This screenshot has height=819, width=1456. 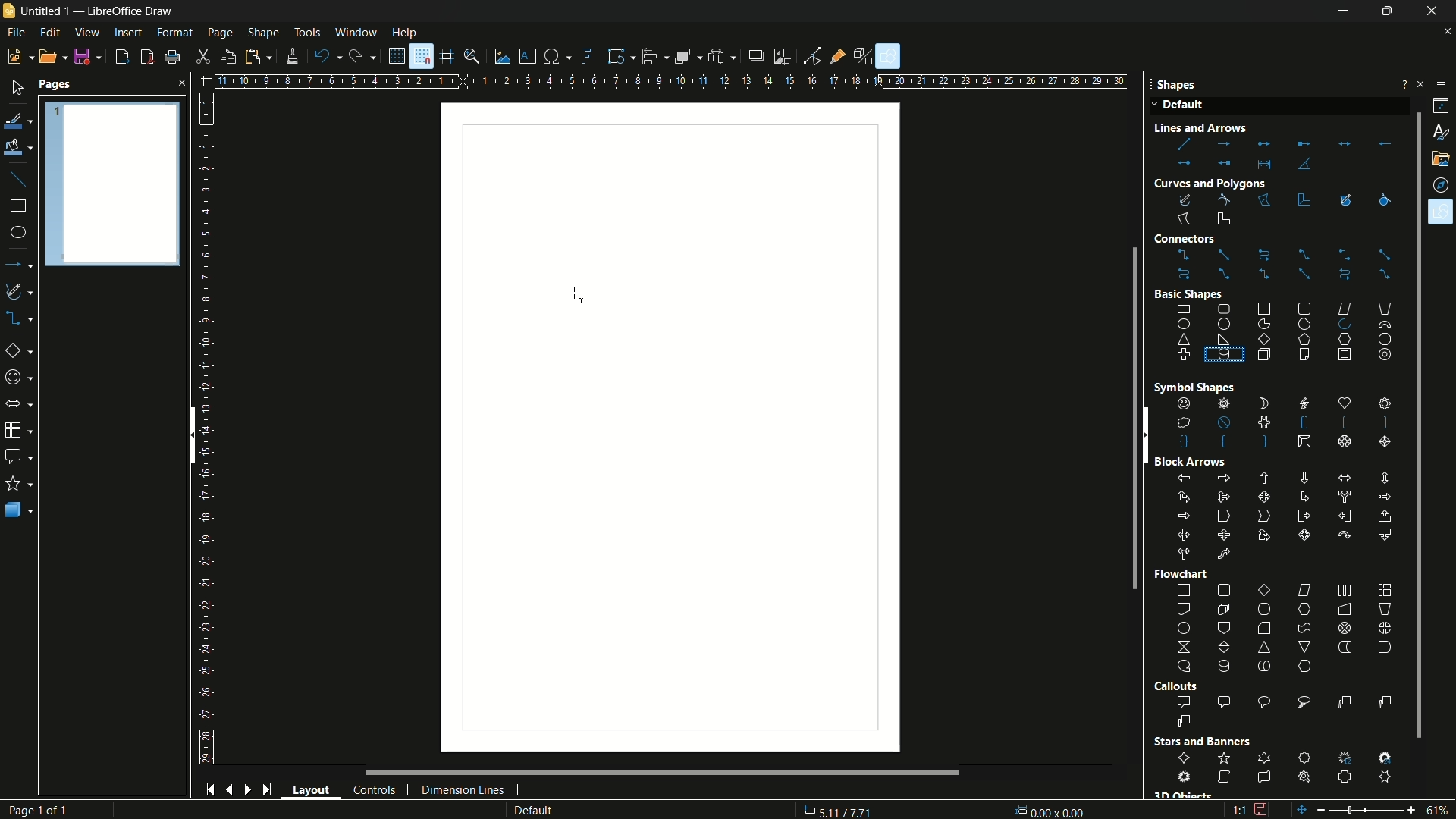 What do you see at coordinates (526, 56) in the screenshot?
I see `insert textbox` at bounding box center [526, 56].